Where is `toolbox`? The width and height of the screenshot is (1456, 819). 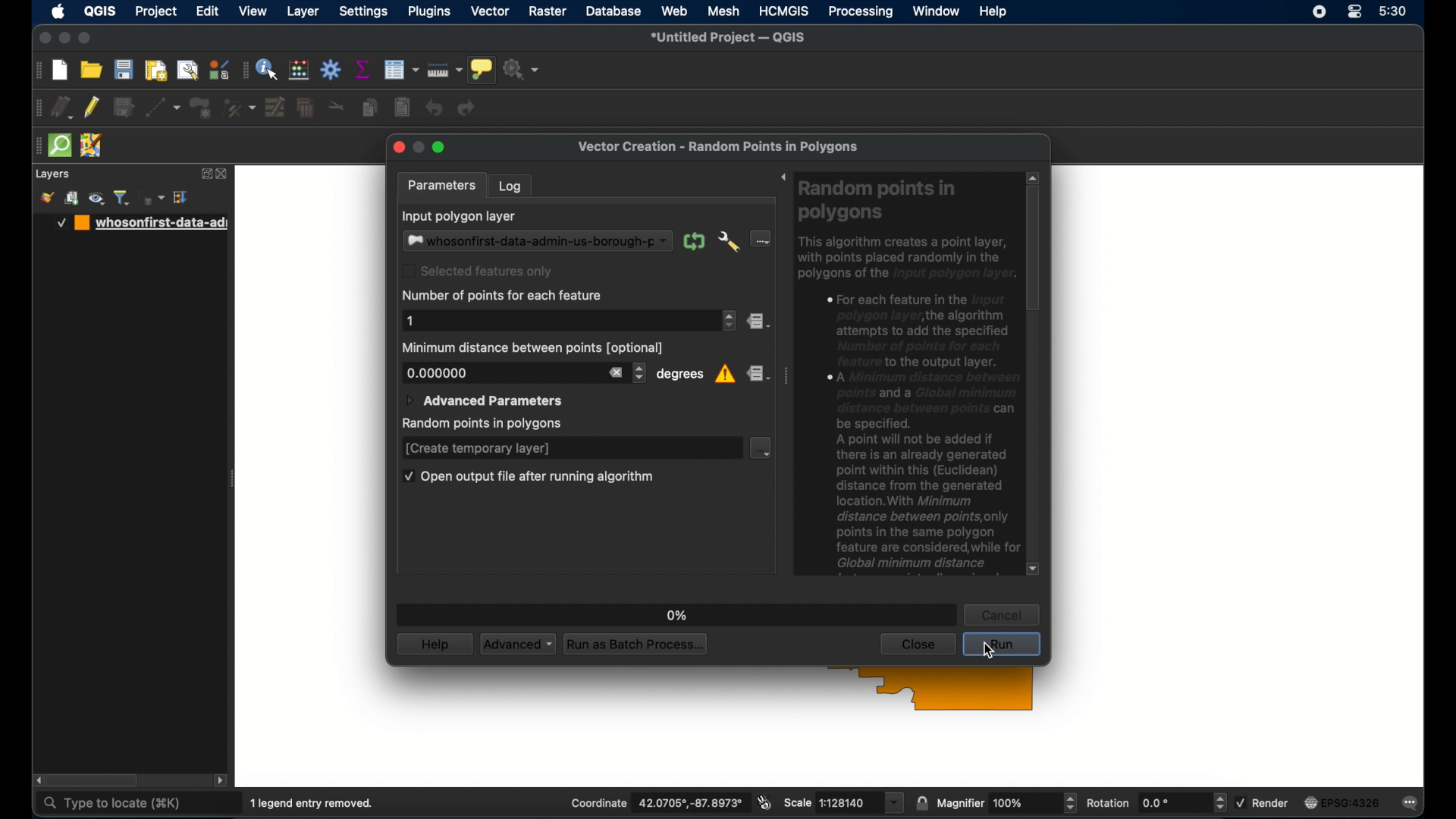 toolbox is located at coordinates (331, 70).